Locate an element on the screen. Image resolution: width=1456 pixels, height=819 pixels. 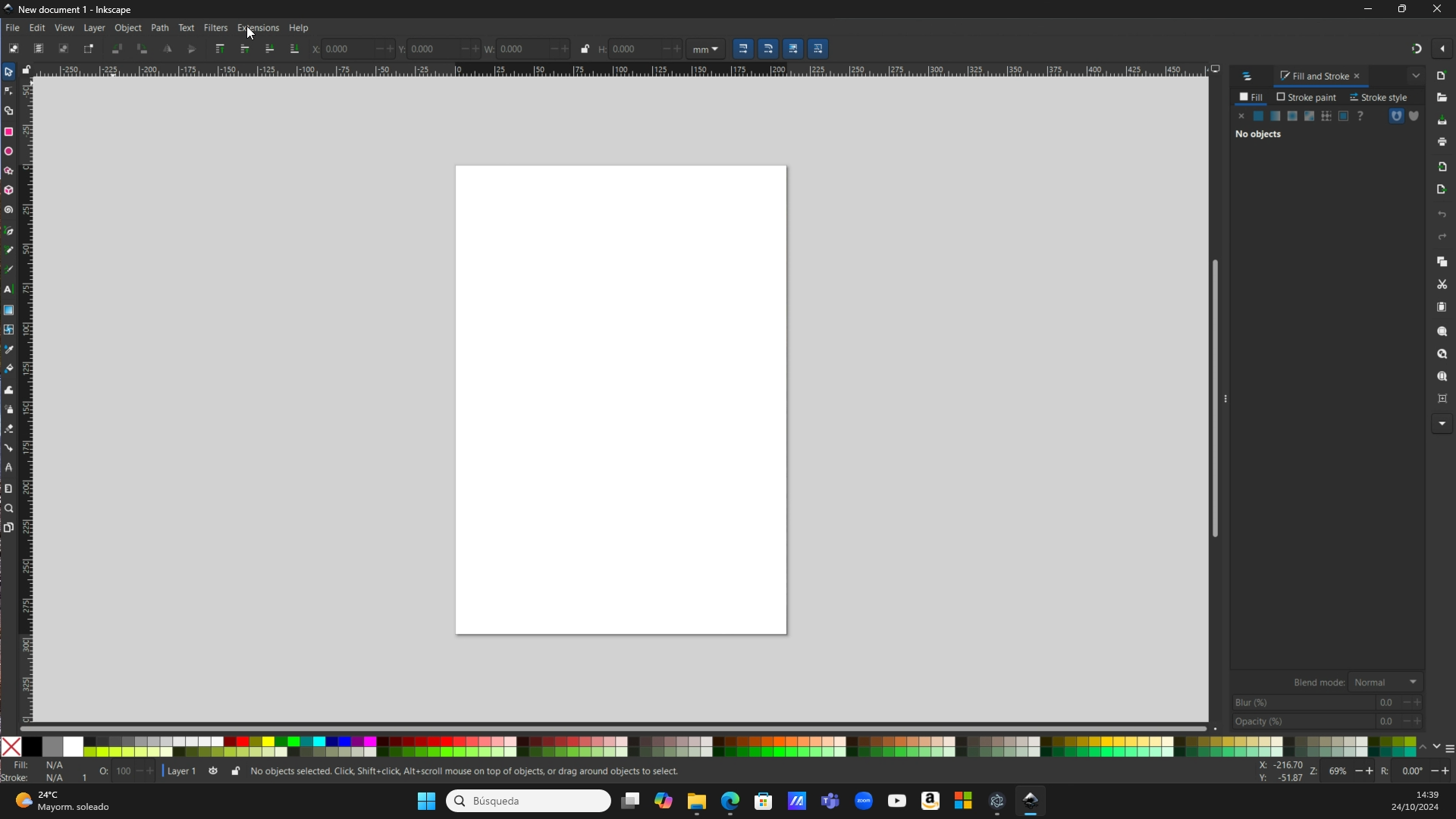
 is located at coordinates (67, 30).